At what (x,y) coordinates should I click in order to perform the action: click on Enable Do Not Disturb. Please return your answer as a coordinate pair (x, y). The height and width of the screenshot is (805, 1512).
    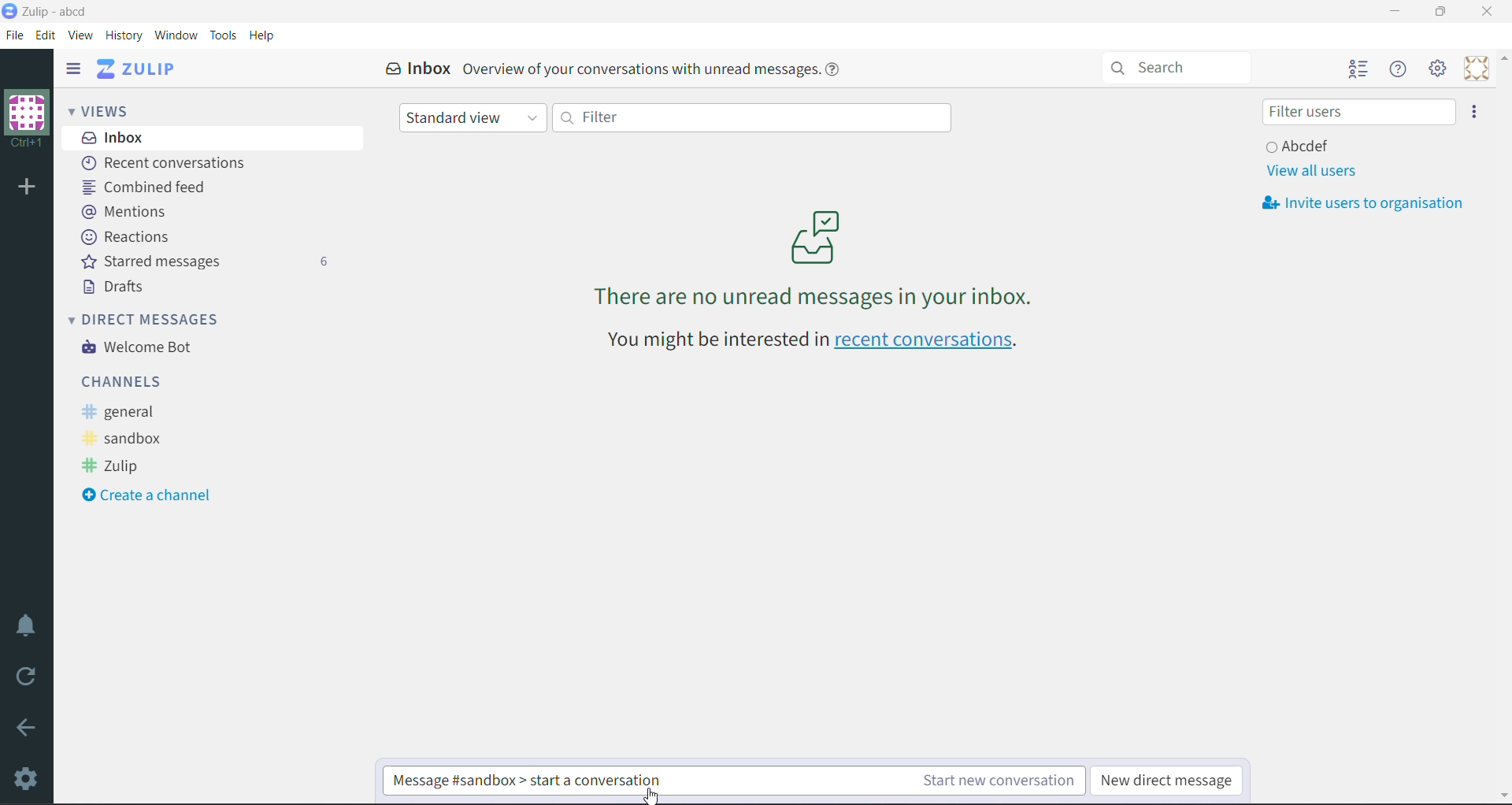
    Looking at the image, I should click on (27, 625).